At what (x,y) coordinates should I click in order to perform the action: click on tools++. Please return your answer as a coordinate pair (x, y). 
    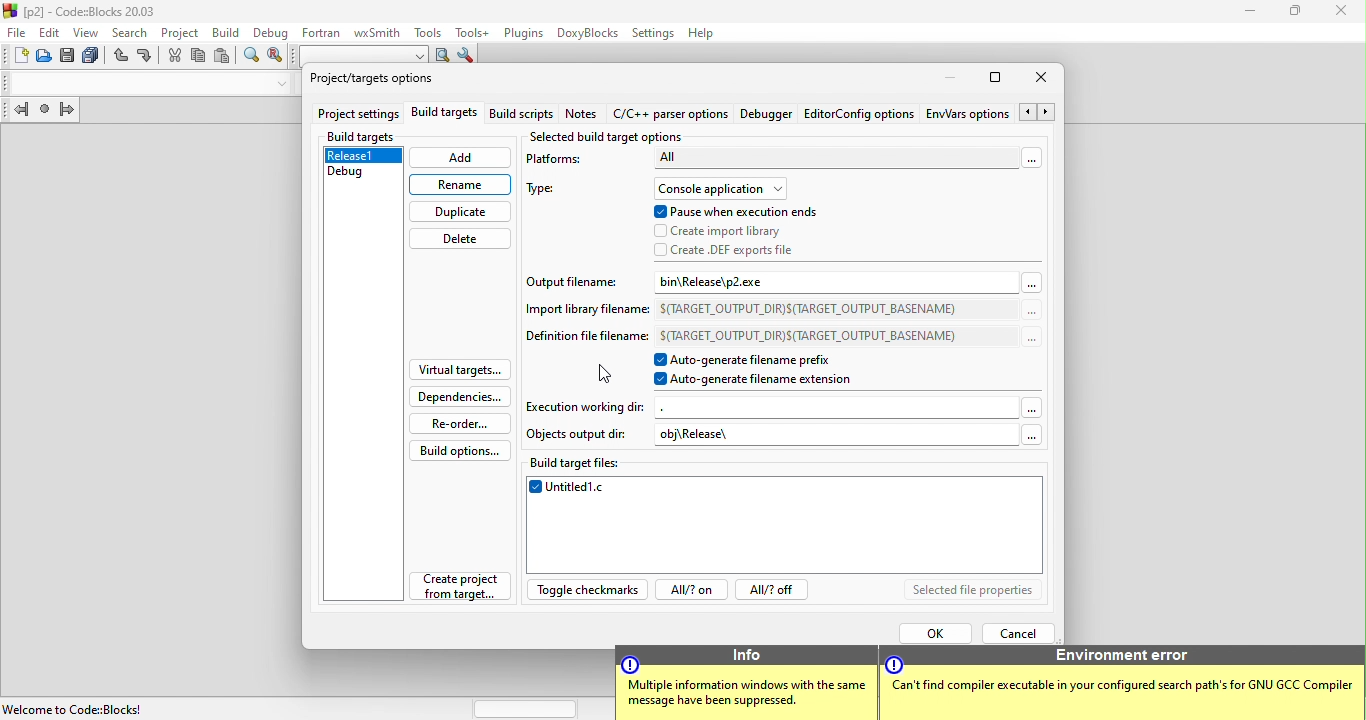
    Looking at the image, I should click on (473, 32).